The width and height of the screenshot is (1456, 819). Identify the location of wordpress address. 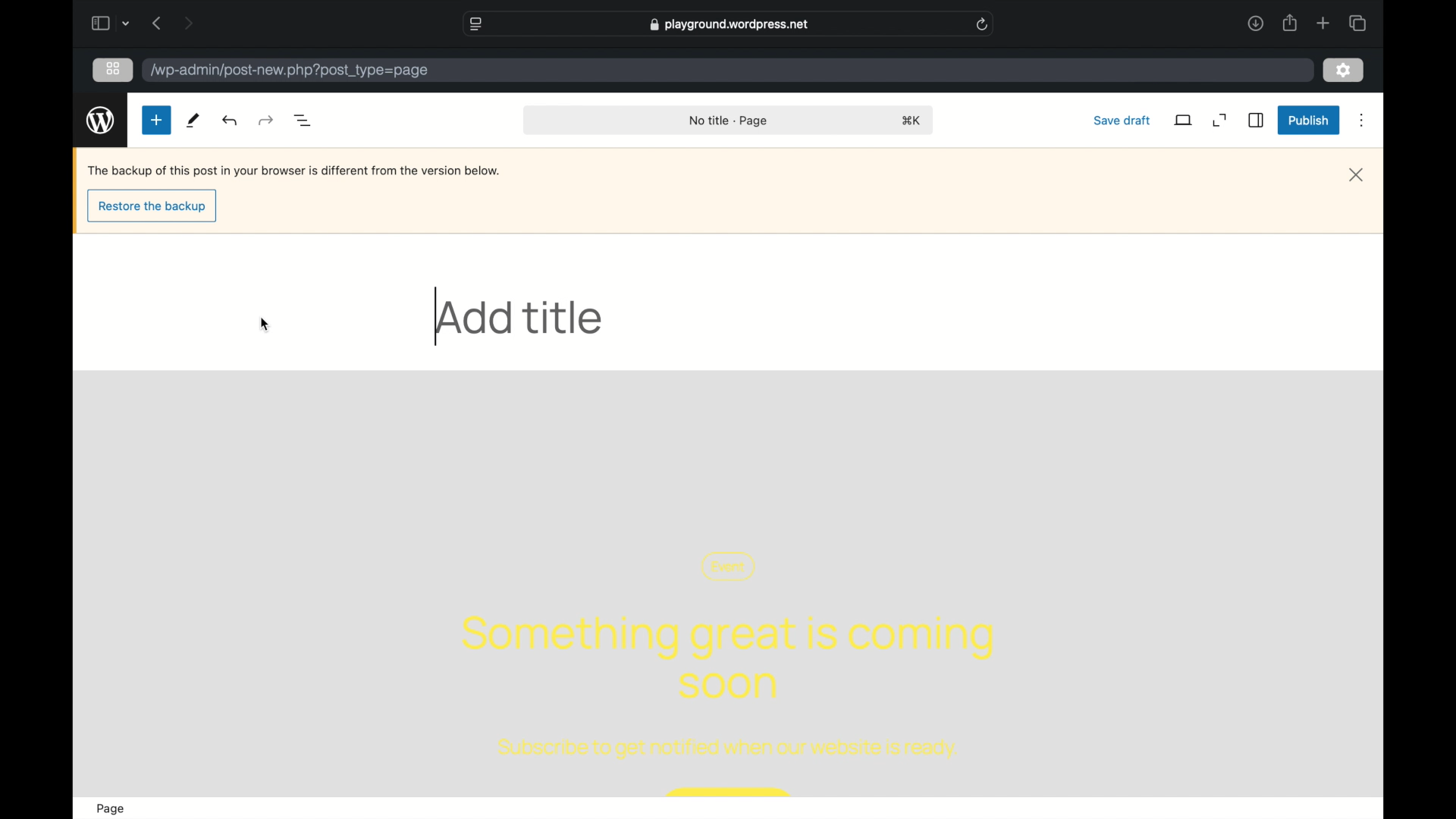
(288, 71).